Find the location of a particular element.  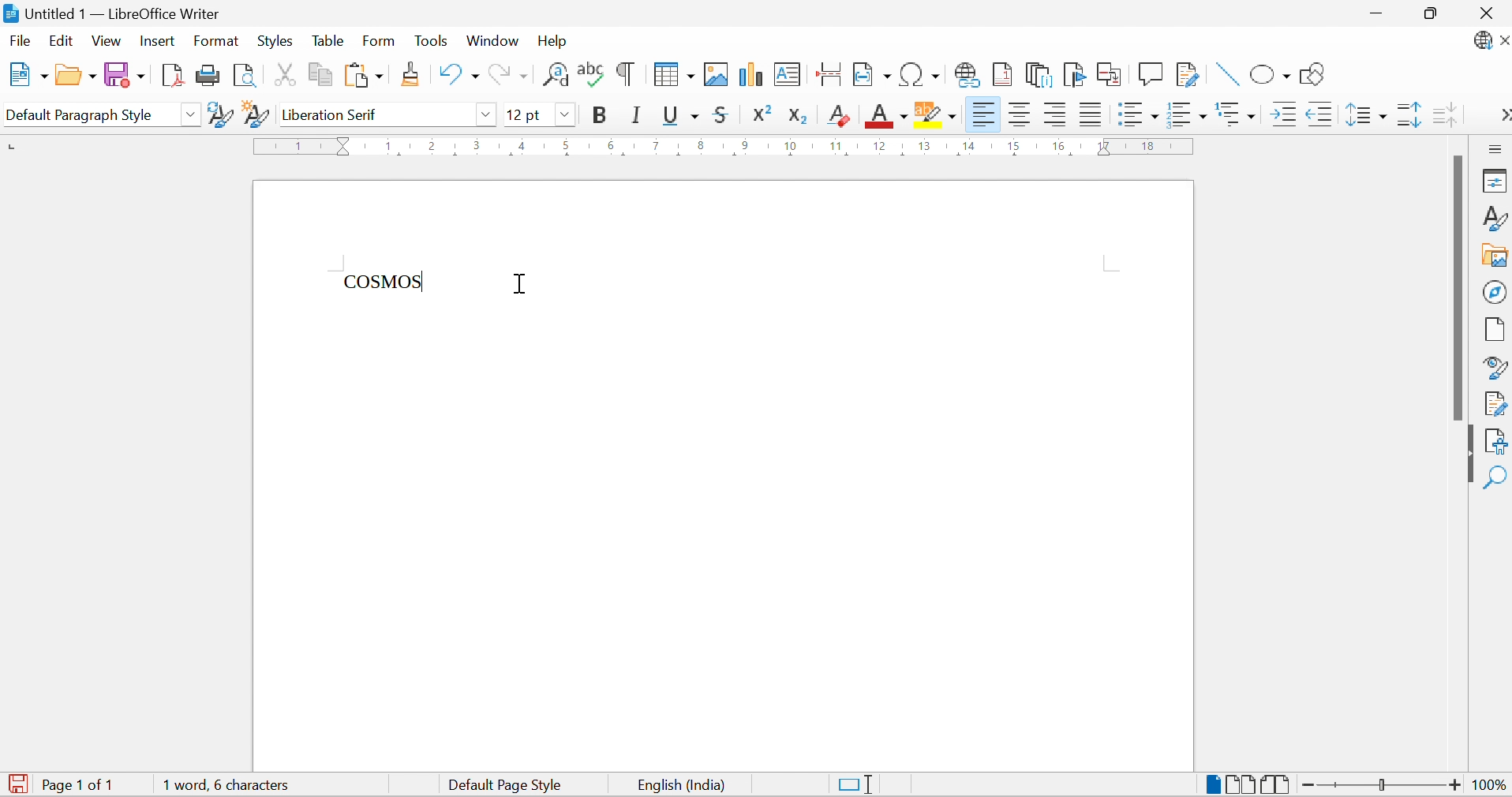

Copy is located at coordinates (318, 75).